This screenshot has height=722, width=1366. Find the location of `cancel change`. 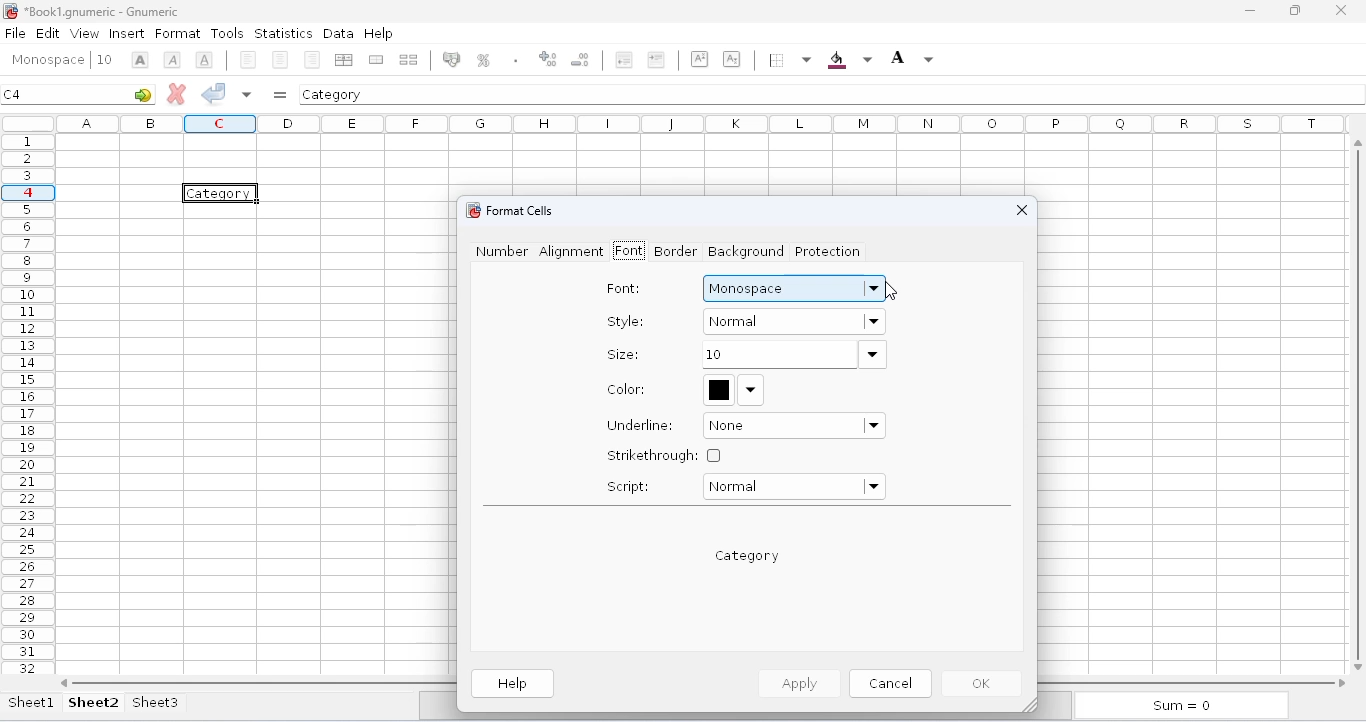

cancel change is located at coordinates (177, 93).